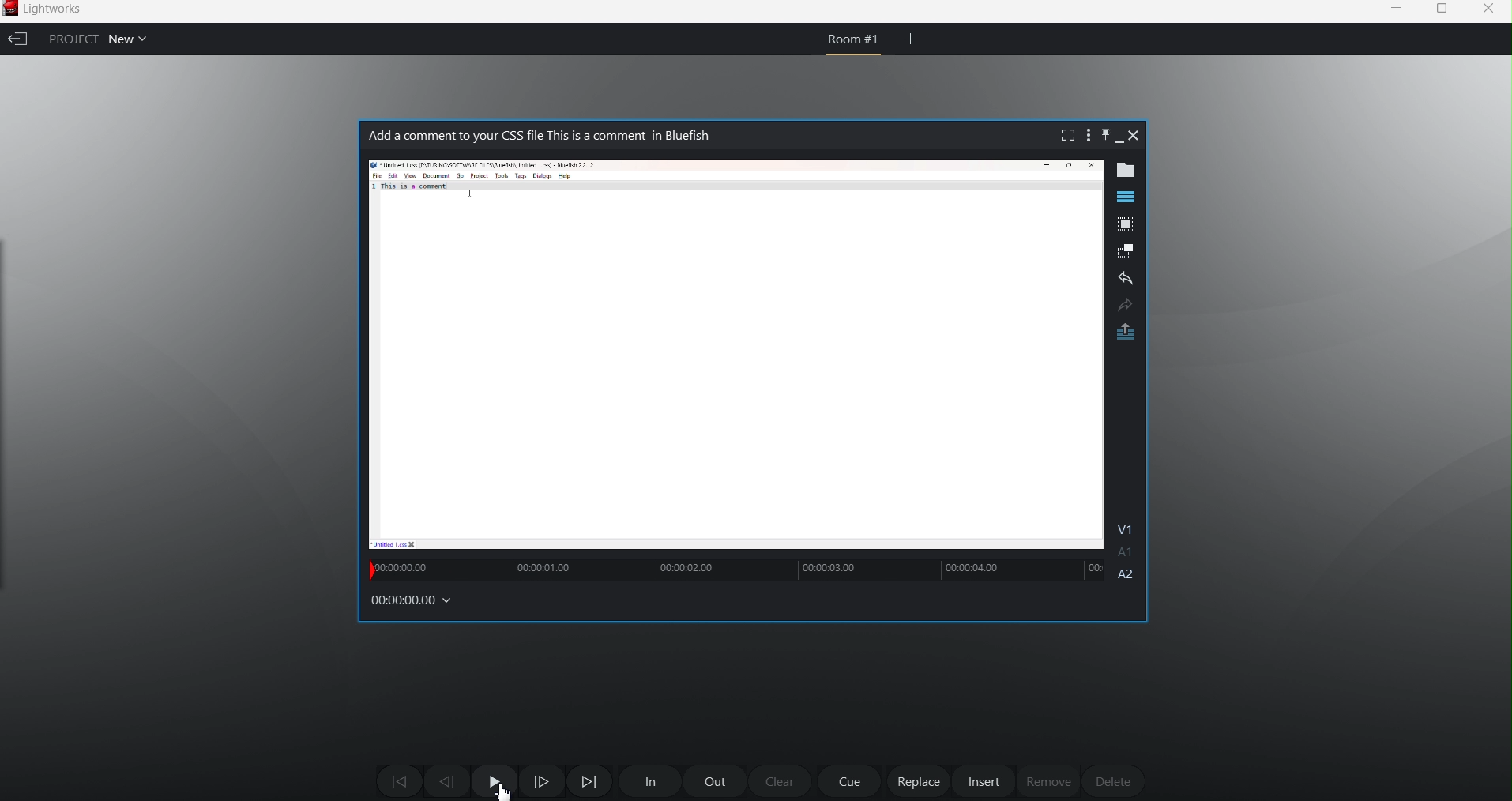 Image resolution: width=1512 pixels, height=801 pixels. I want to click on cloe, so click(1489, 11).